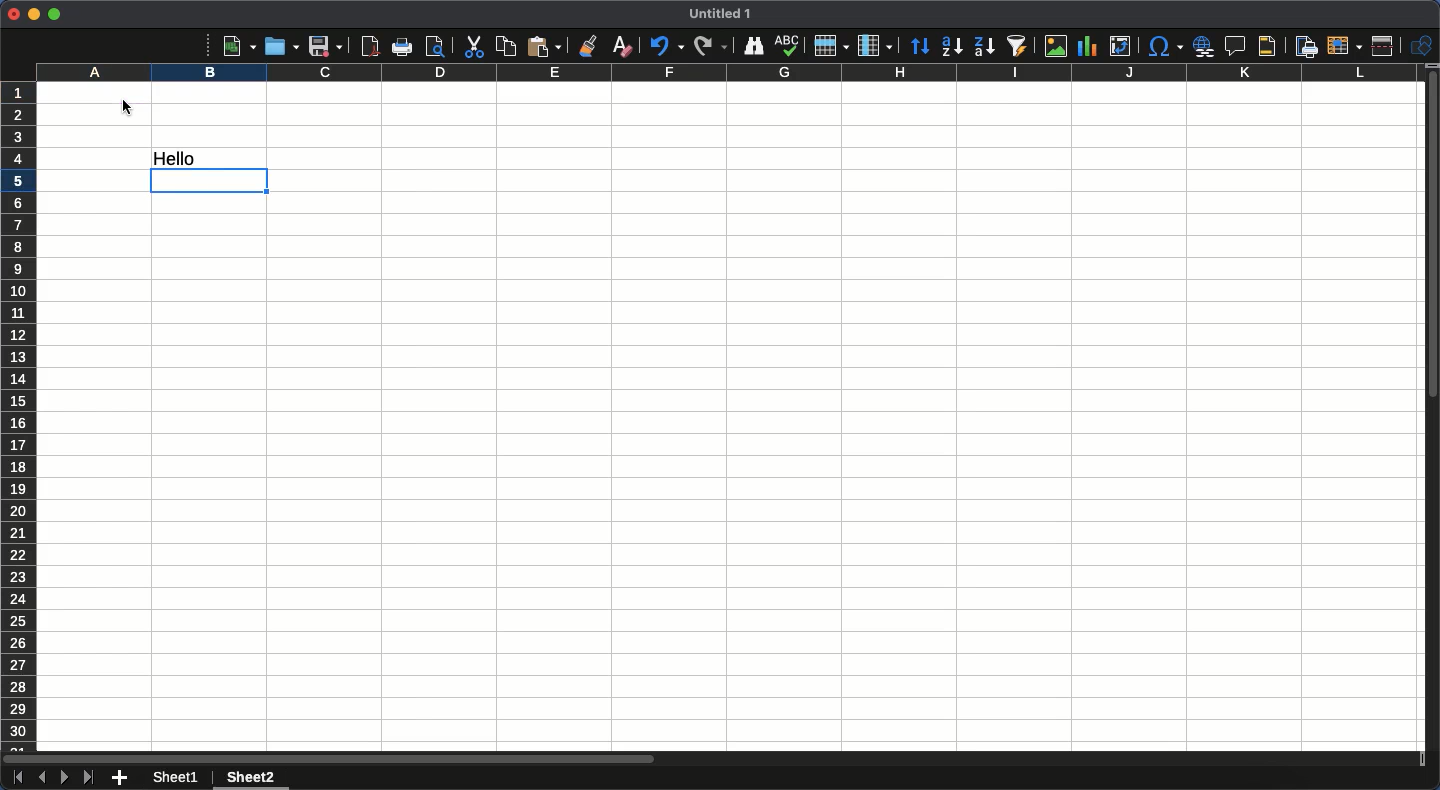 Image resolution: width=1440 pixels, height=790 pixels. I want to click on Columns, so click(724, 73).